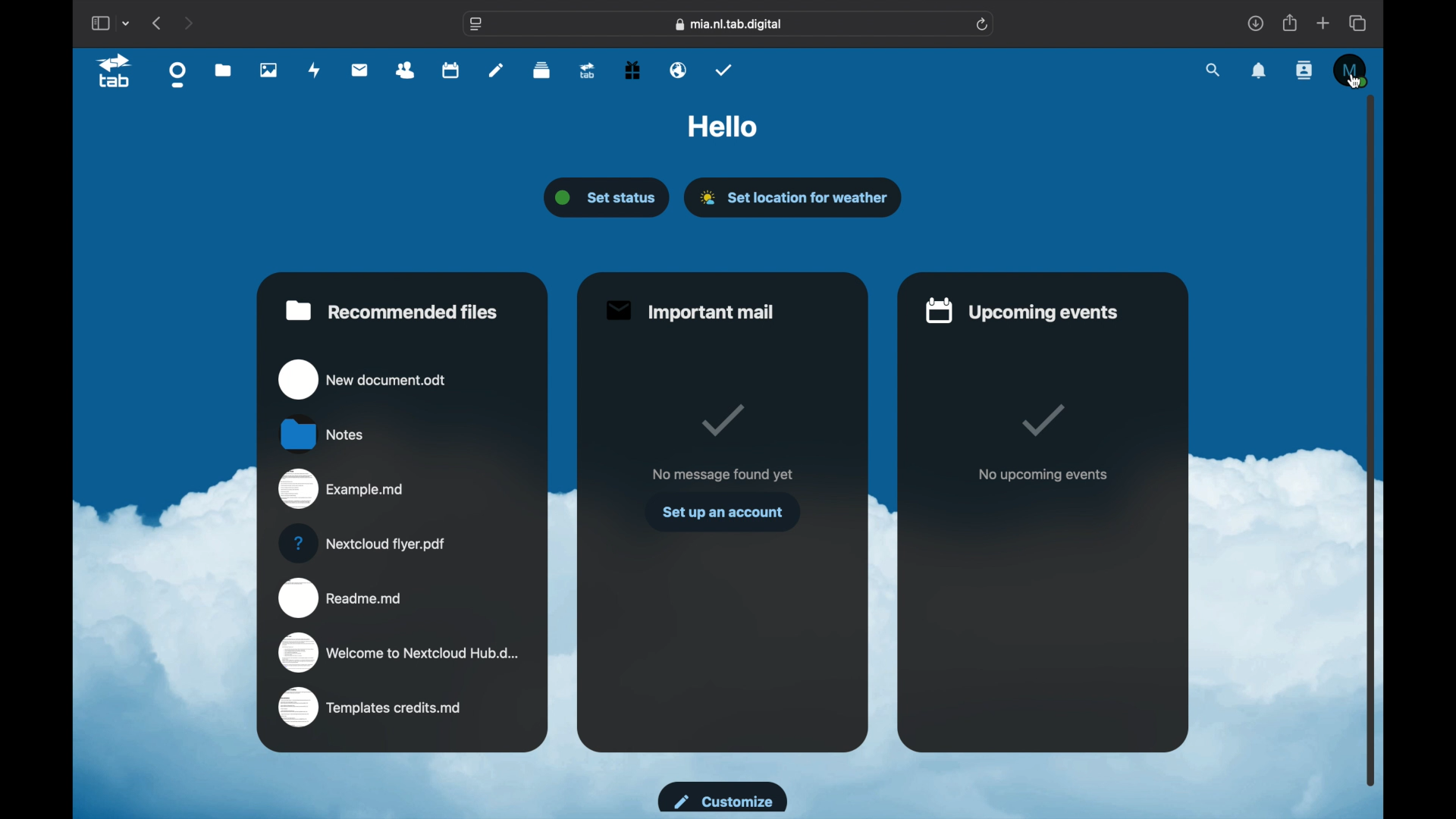 This screenshot has width=1456, height=819. I want to click on photos, so click(269, 71).